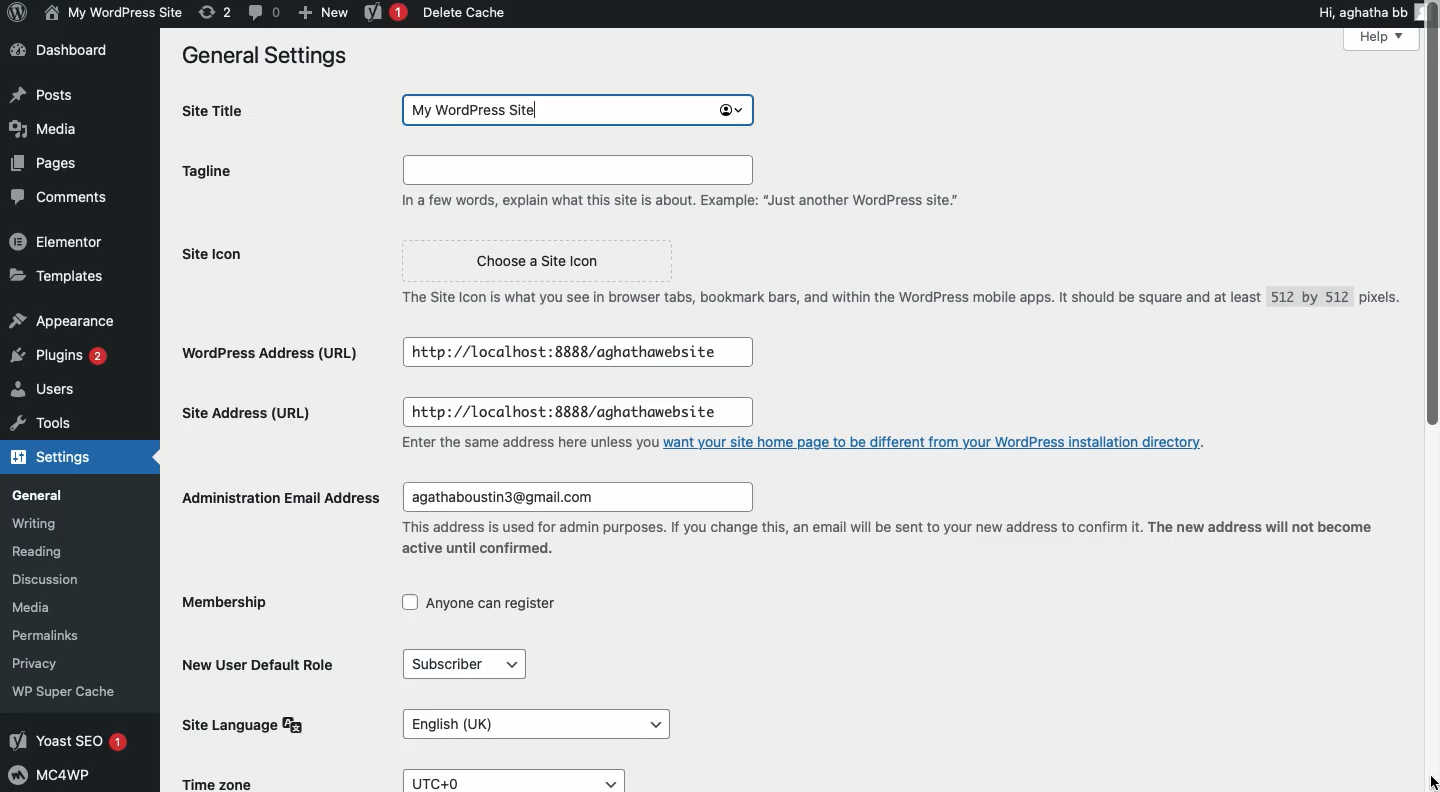  Describe the element at coordinates (47, 94) in the screenshot. I see `Posts` at that location.